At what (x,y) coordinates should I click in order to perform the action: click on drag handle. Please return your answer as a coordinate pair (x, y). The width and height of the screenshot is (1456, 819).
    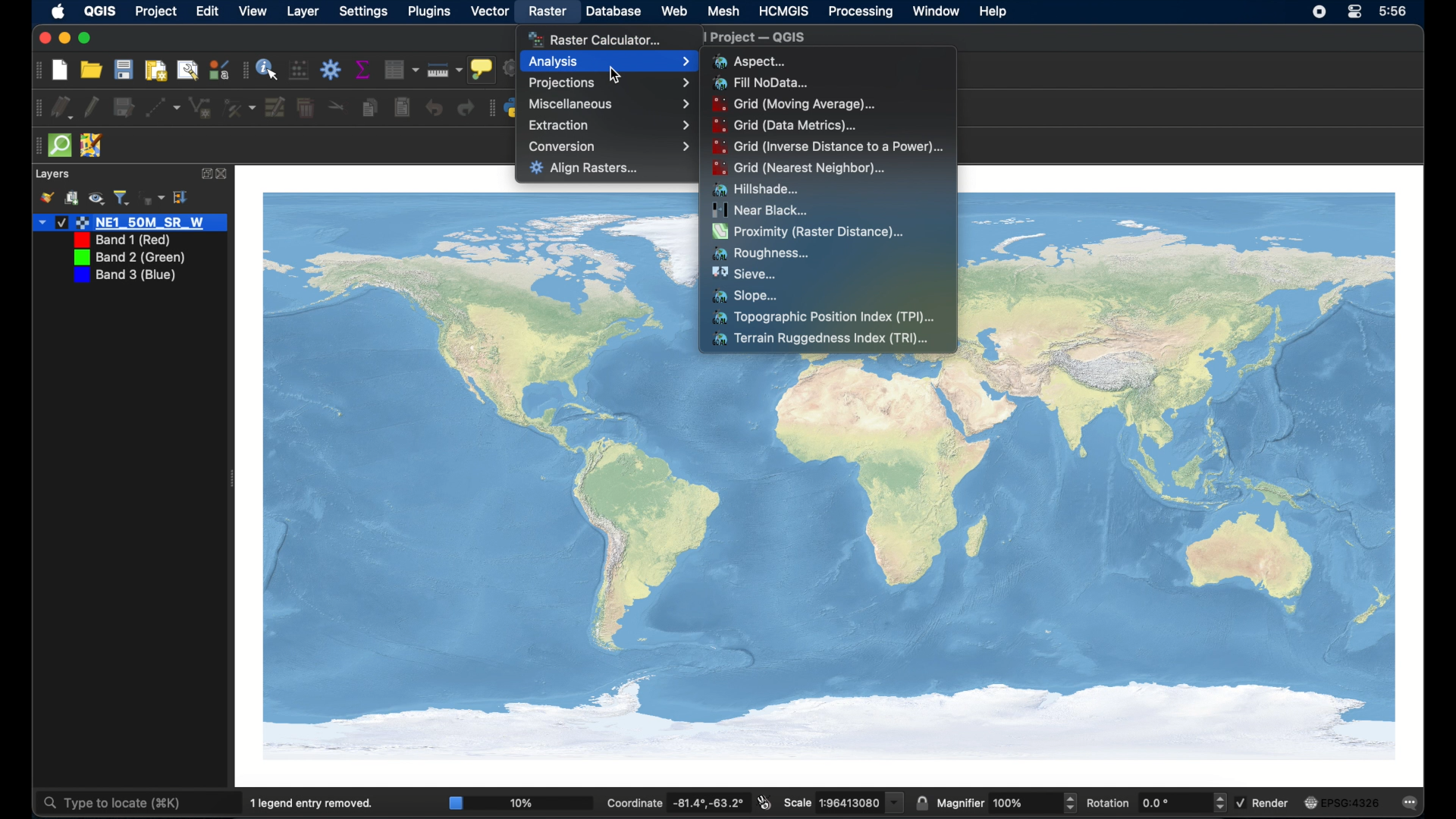
    Looking at the image, I should click on (36, 146).